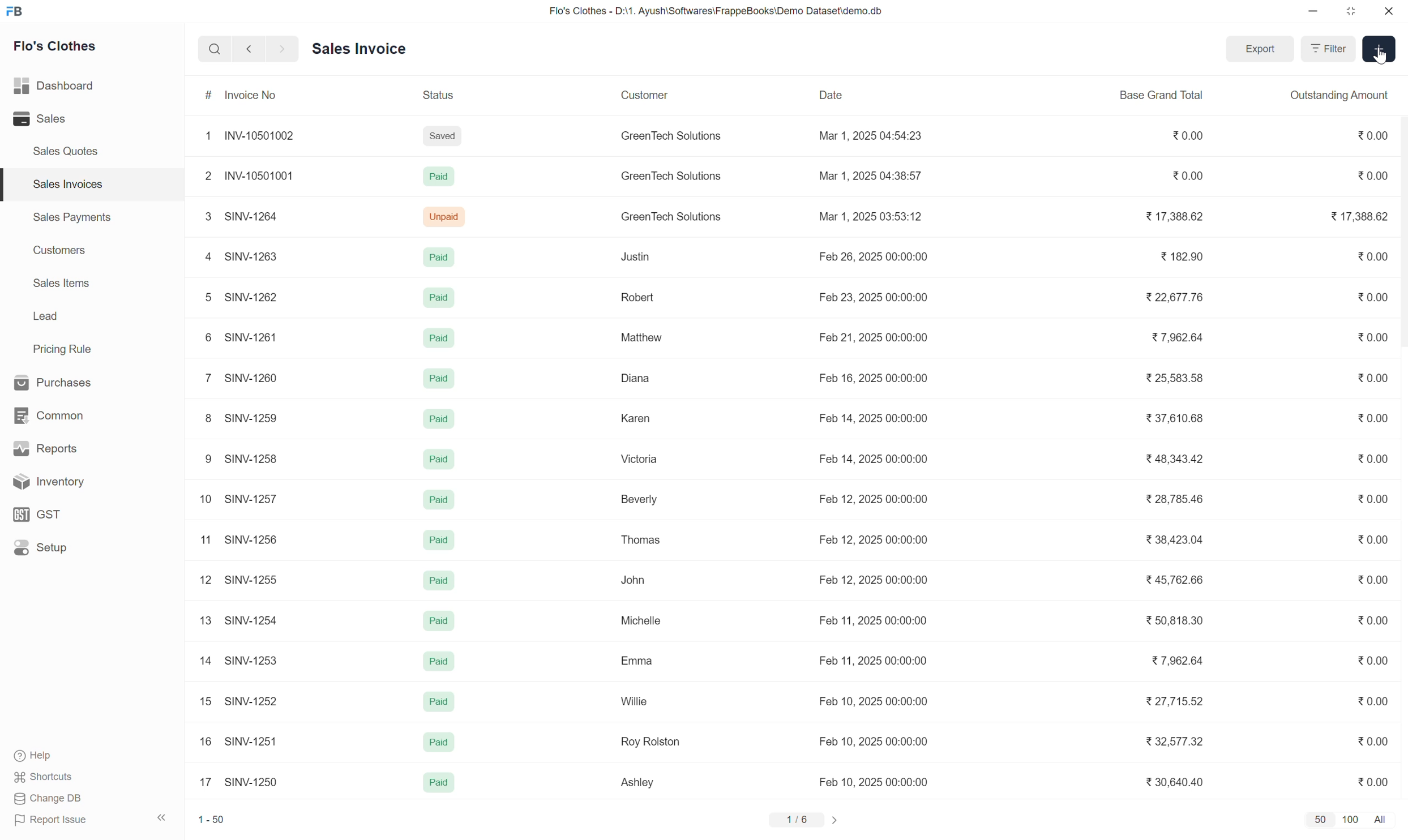 The image size is (1408, 840). What do you see at coordinates (639, 379) in the screenshot?
I see `Diana` at bounding box center [639, 379].